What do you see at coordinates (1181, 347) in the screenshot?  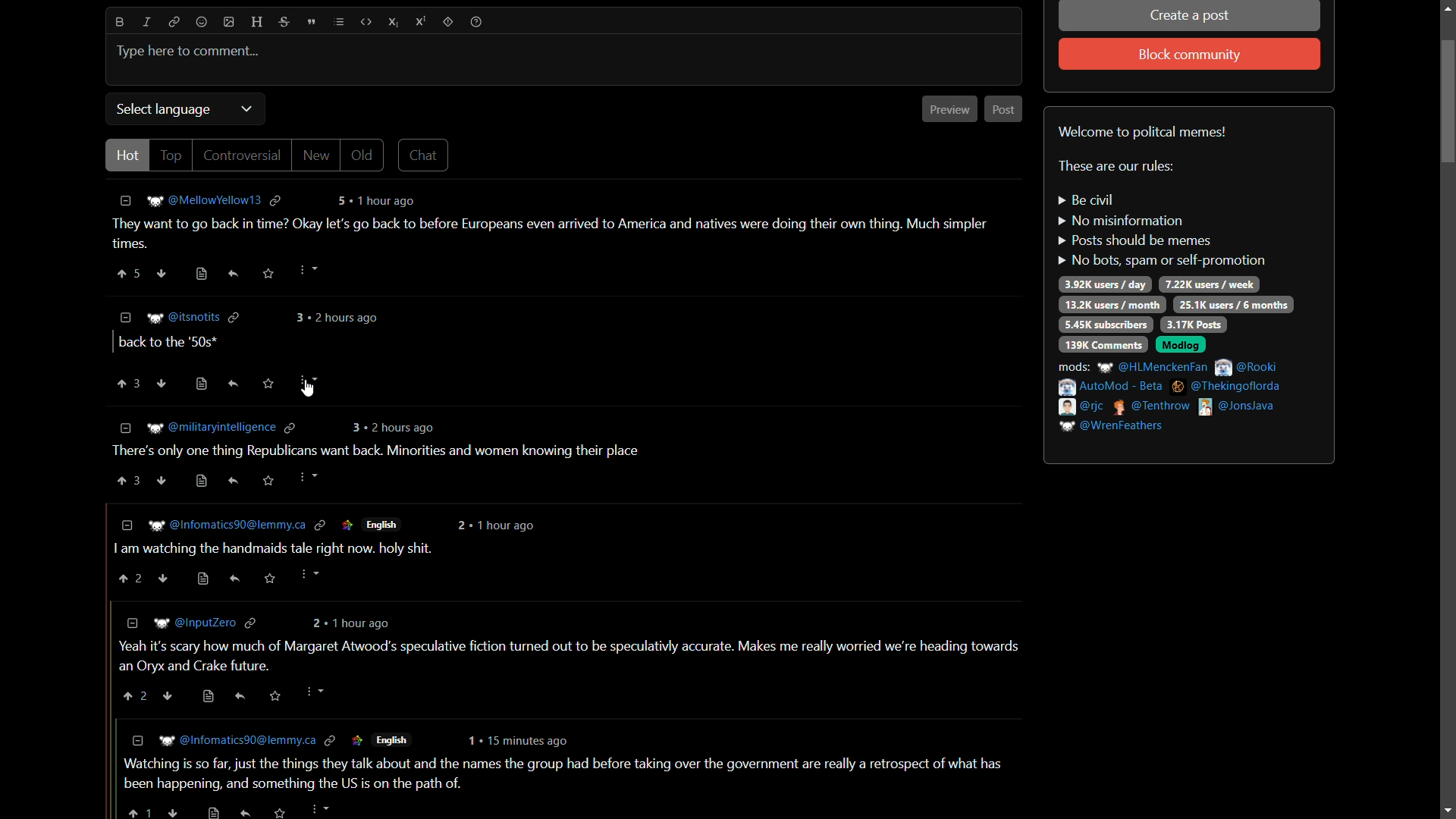 I see `modlog` at bounding box center [1181, 347].